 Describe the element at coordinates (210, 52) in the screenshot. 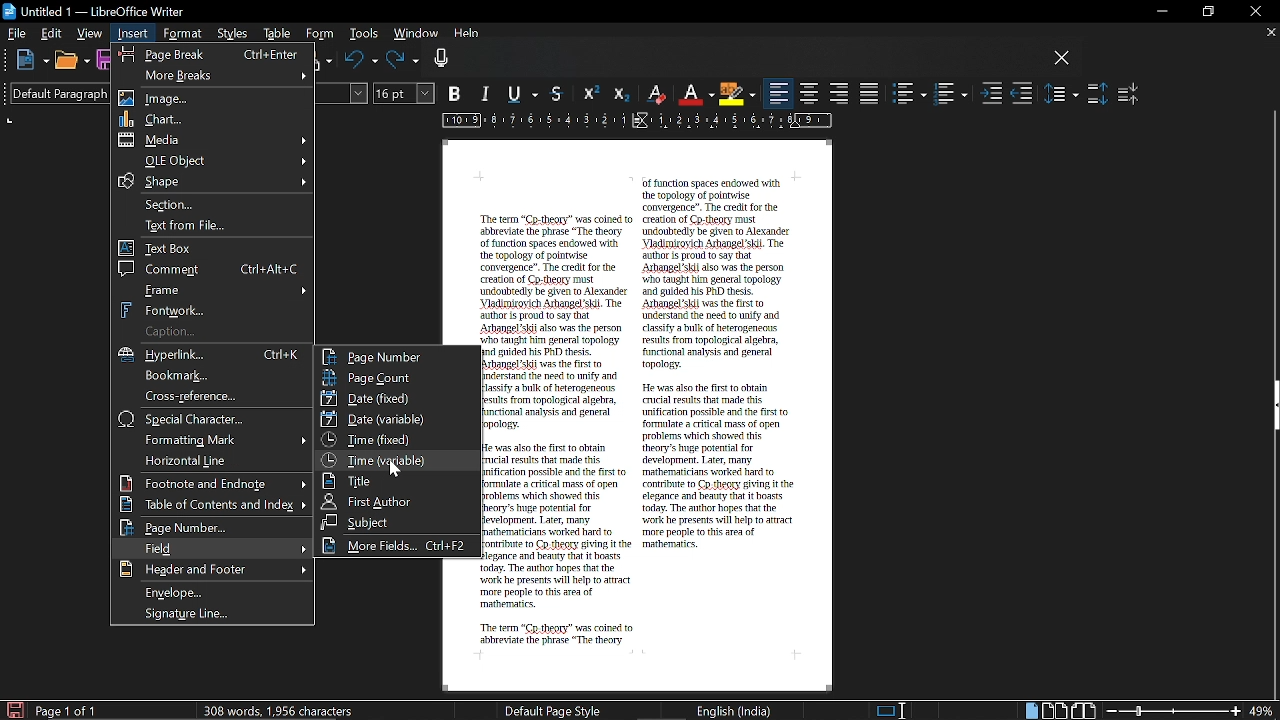

I see `Page break` at that location.